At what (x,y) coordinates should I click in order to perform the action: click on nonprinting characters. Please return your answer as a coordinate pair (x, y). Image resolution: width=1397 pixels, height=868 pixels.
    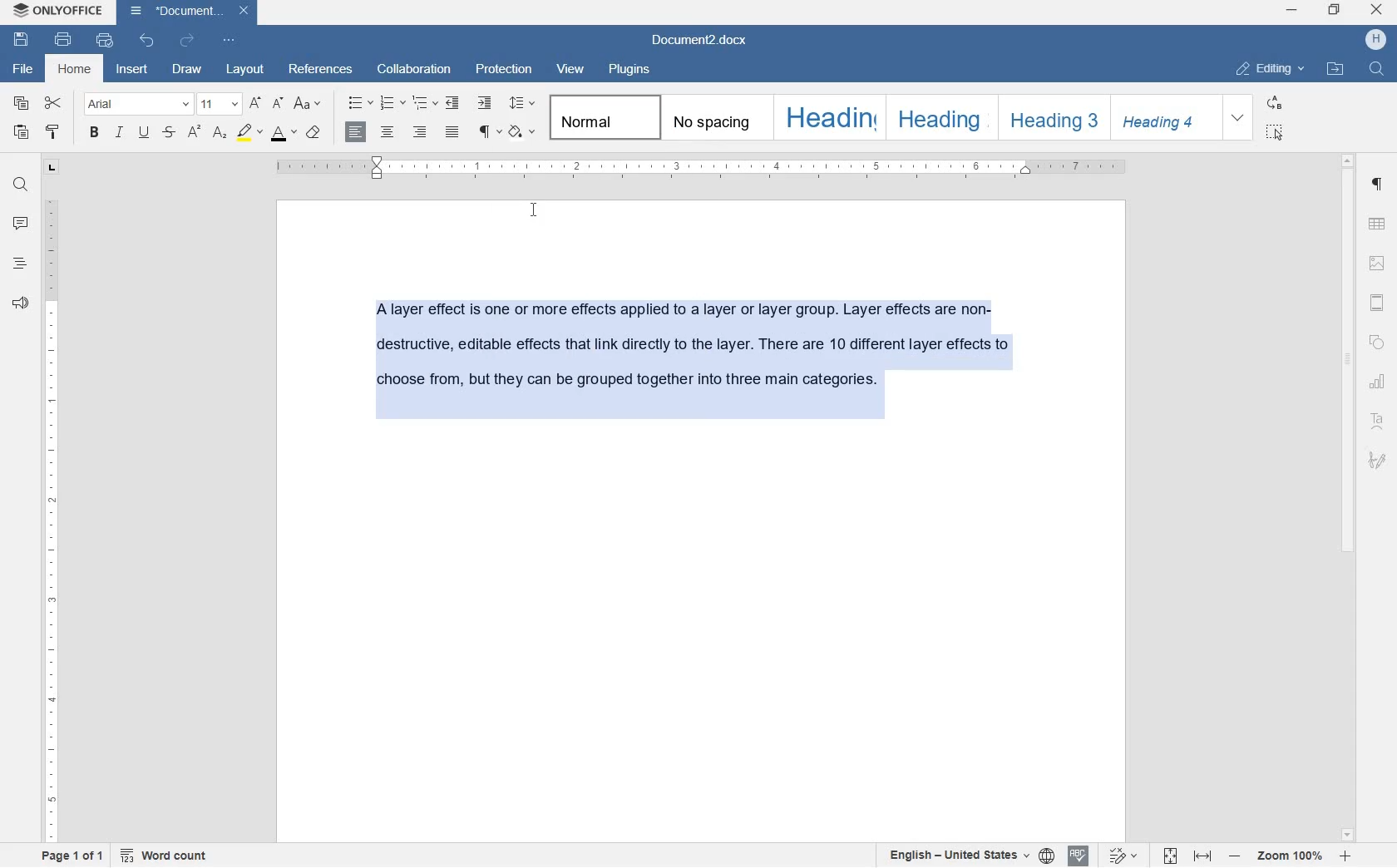
    Looking at the image, I should click on (488, 131).